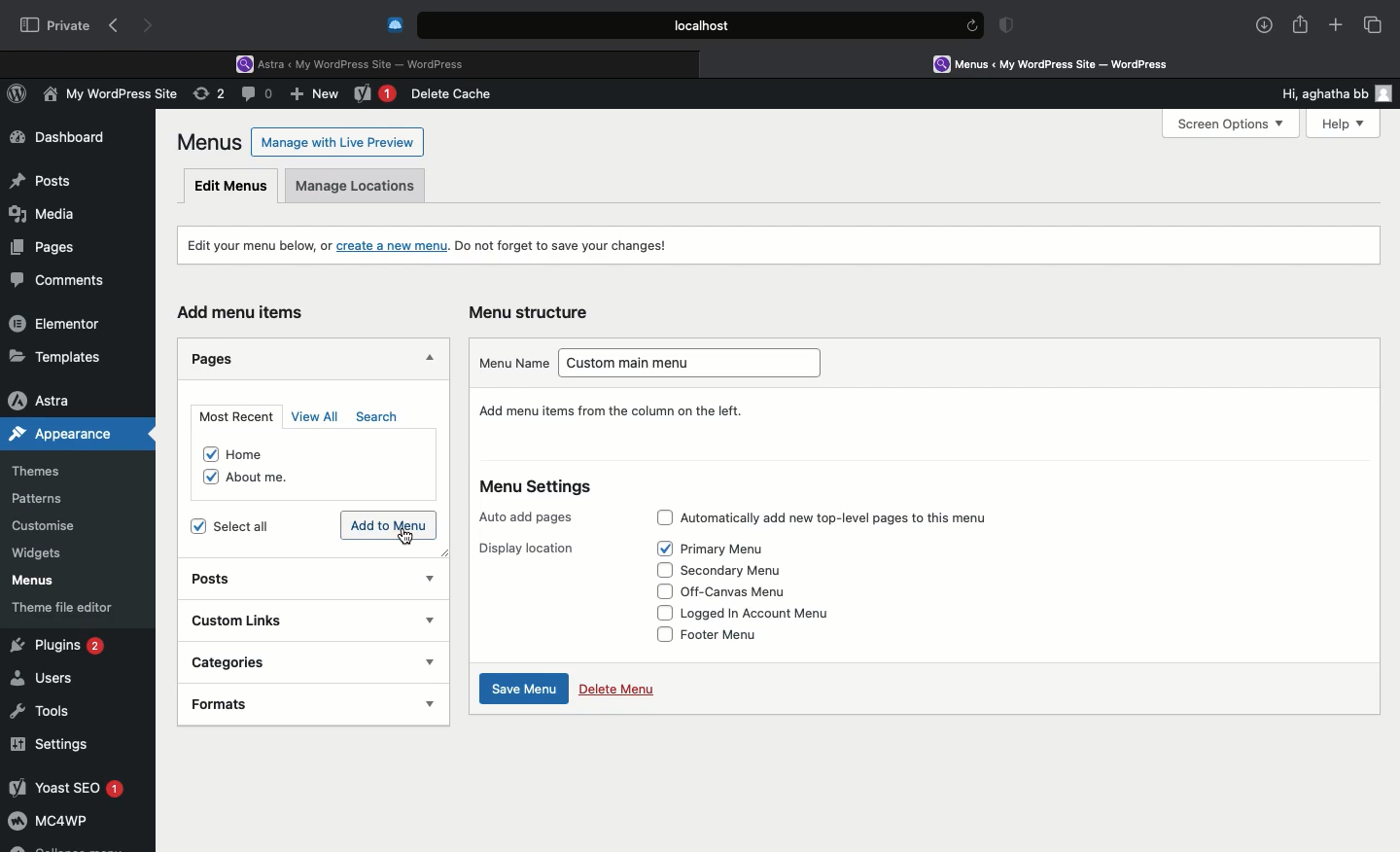  What do you see at coordinates (50, 472) in the screenshot?
I see `Themes` at bounding box center [50, 472].